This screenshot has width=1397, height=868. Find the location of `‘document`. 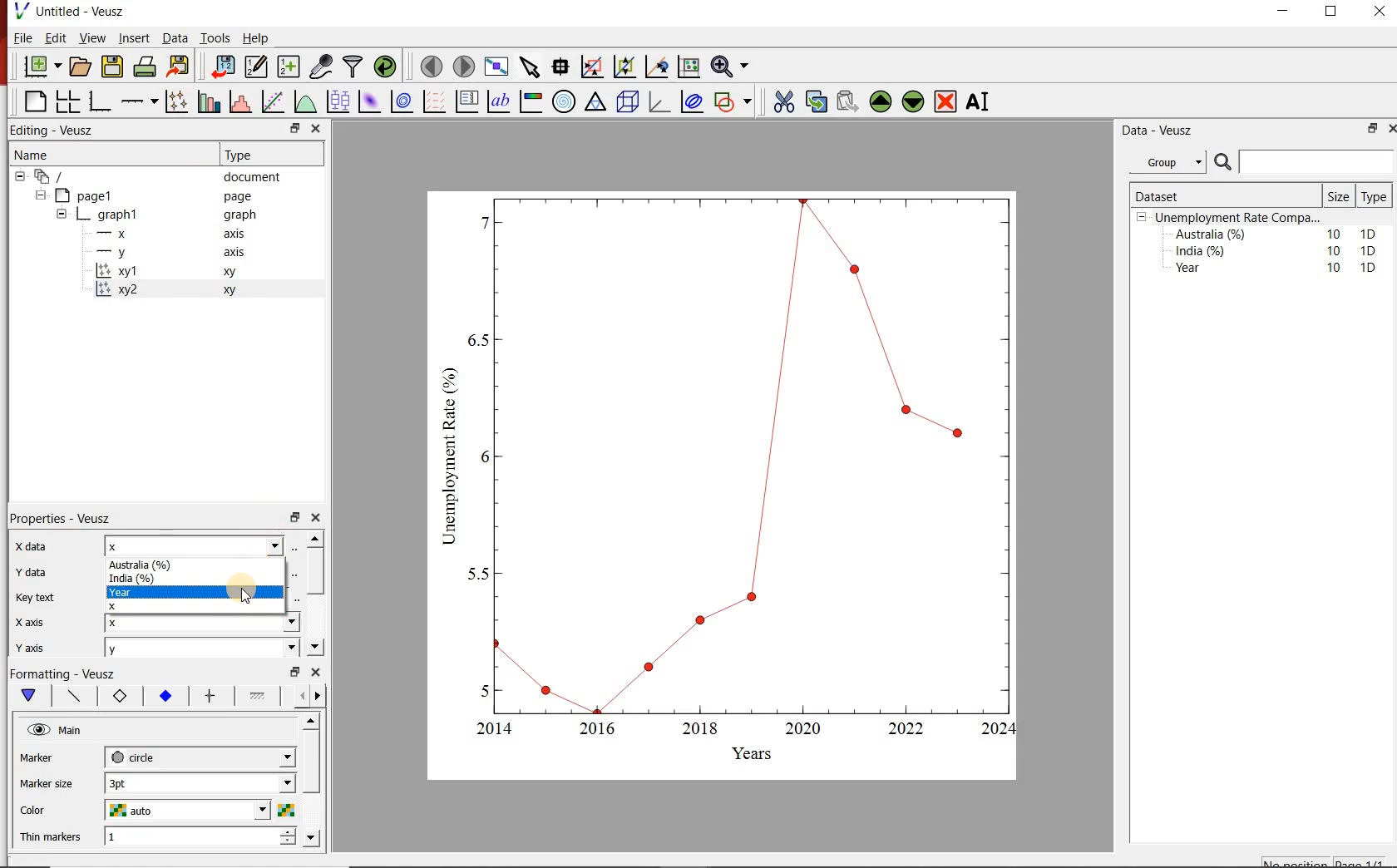

‘document is located at coordinates (155, 175).